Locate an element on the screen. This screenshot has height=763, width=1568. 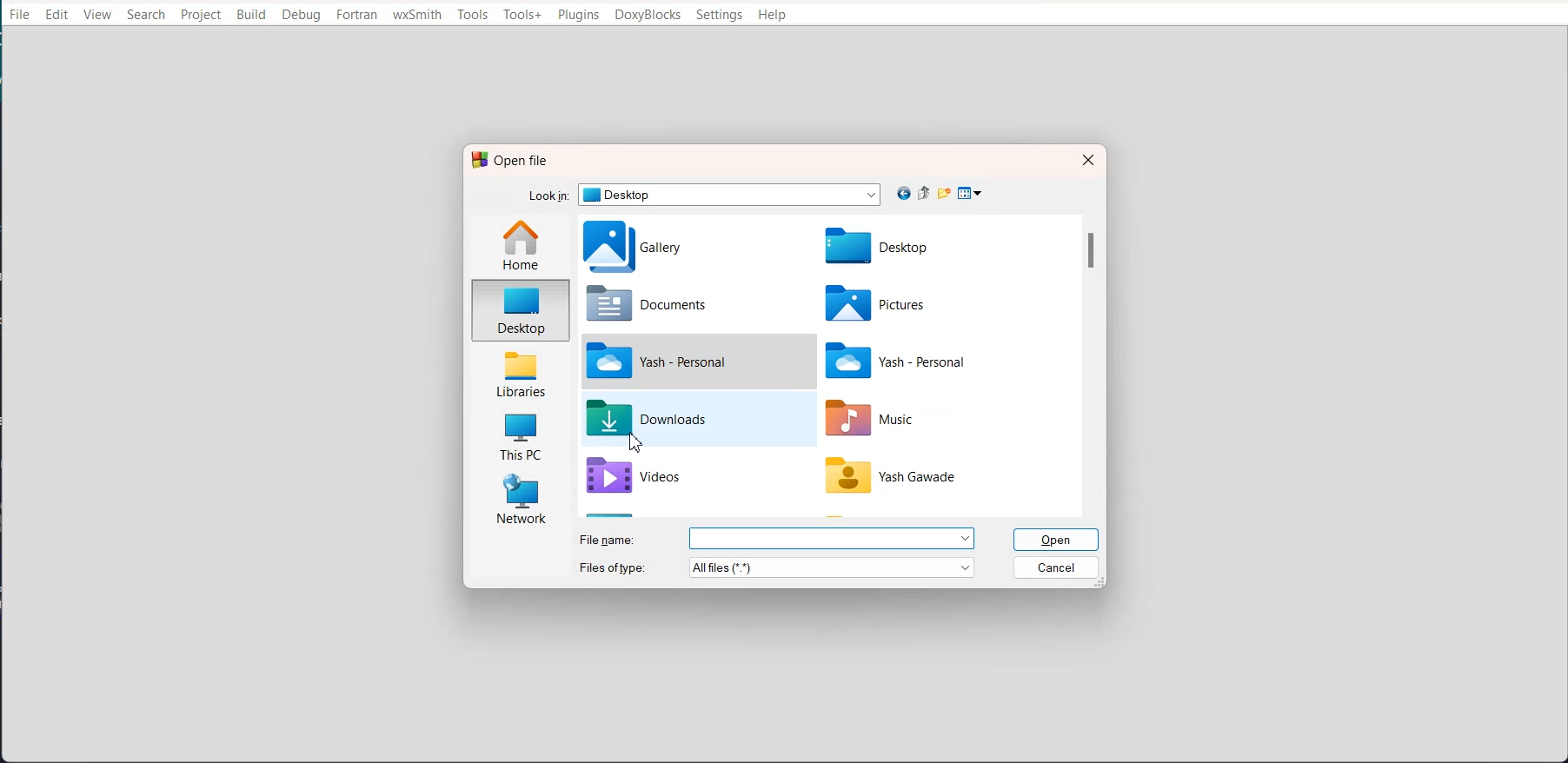
File is located at coordinates (903, 480).